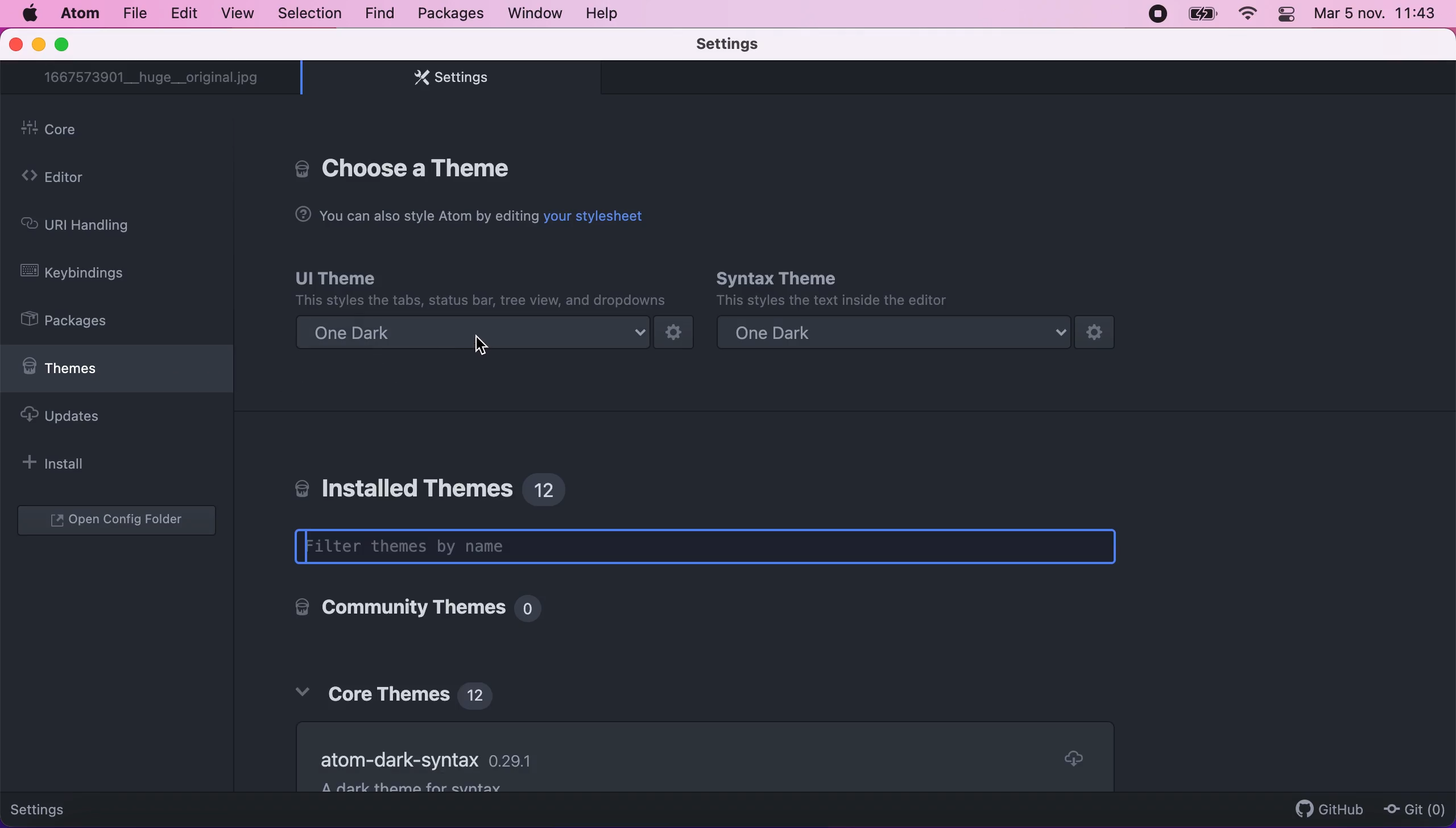 The width and height of the screenshot is (1456, 828). Describe the element at coordinates (402, 690) in the screenshot. I see `core themes` at that location.